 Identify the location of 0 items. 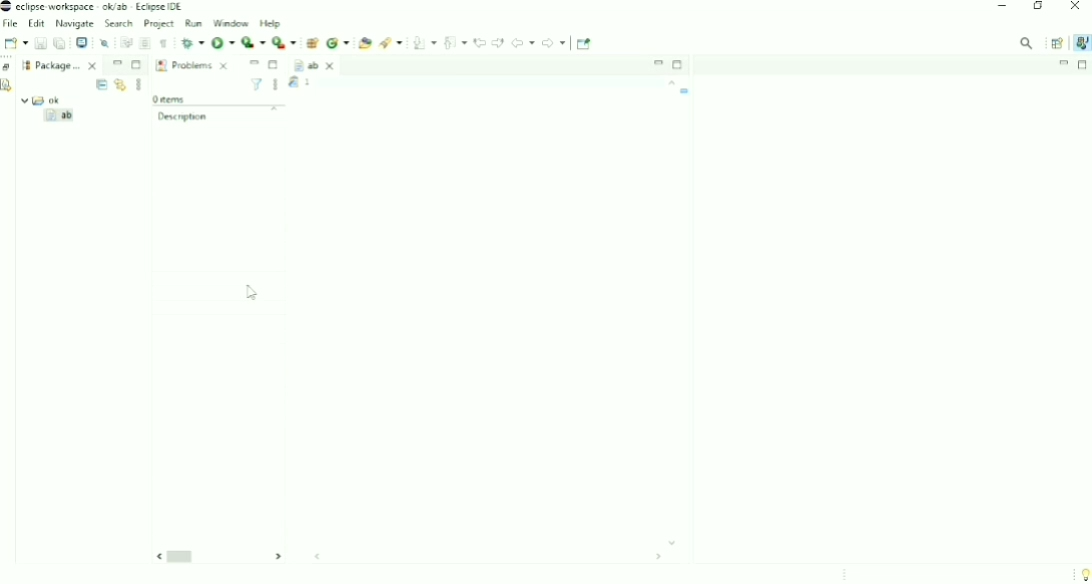
(170, 97).